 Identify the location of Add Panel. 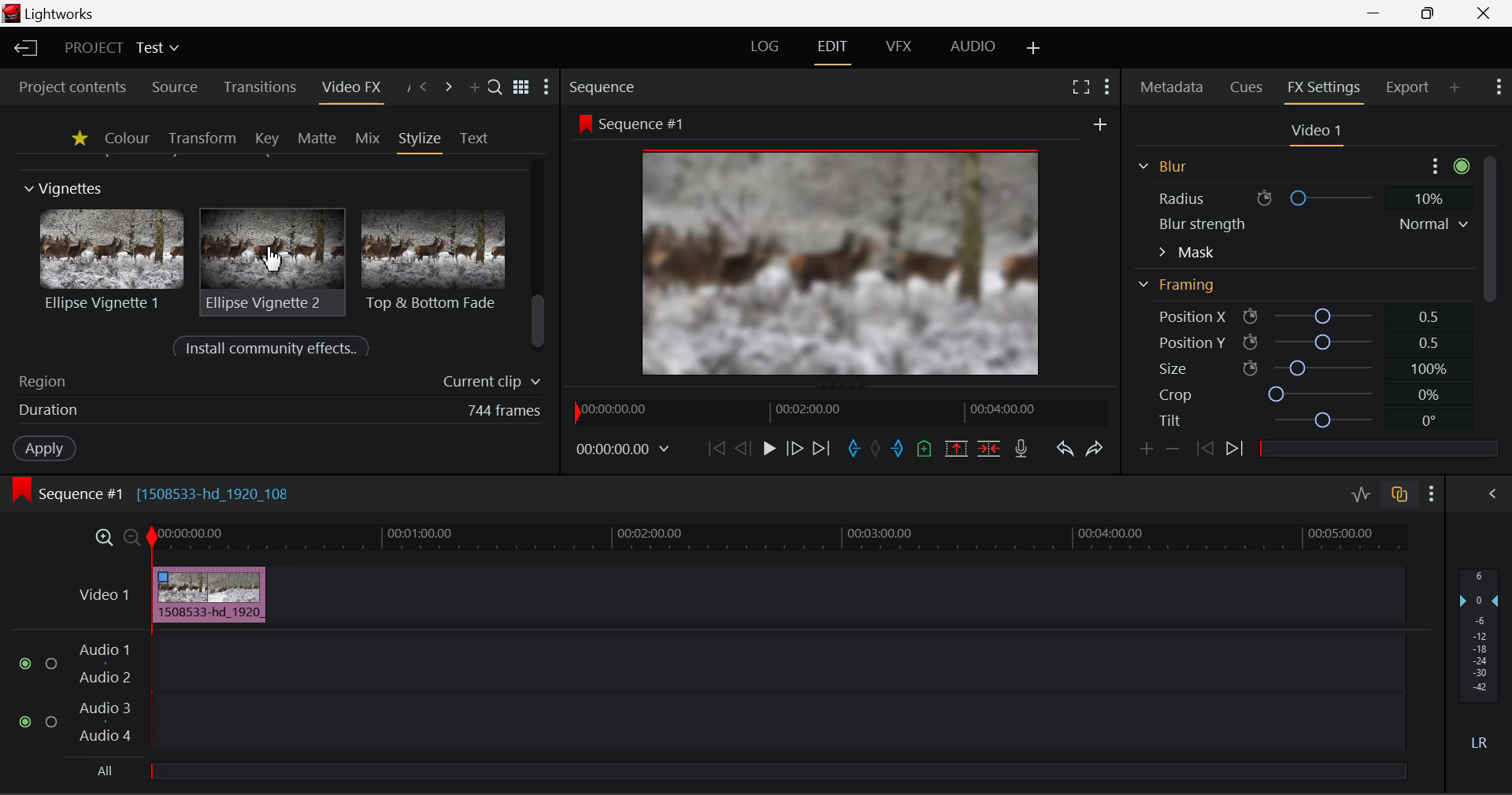
(474, 89).